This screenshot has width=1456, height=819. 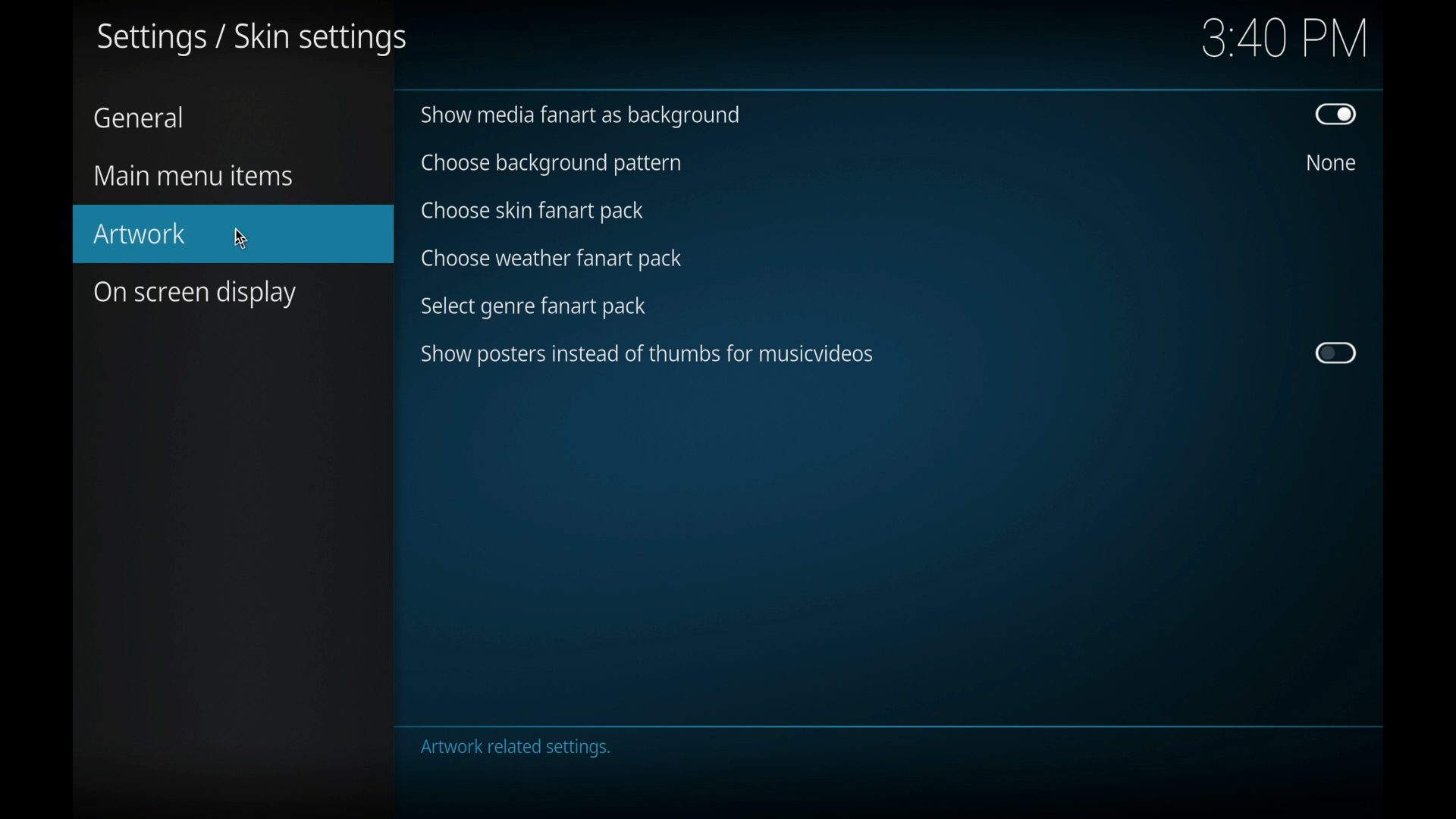 I want to click on cursor, so click(x=243, y=237).